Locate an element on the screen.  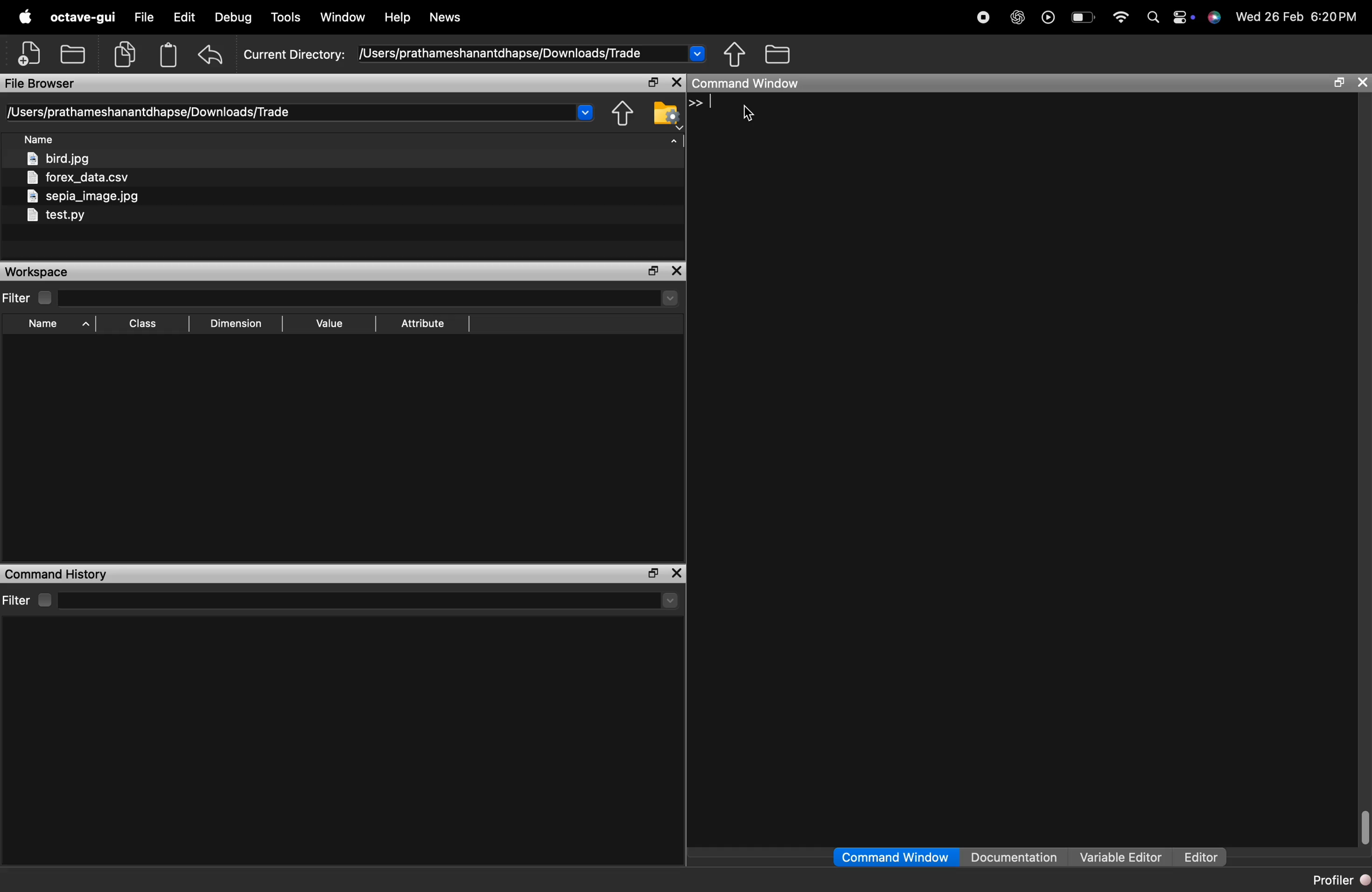
Help is located at coordinates (398, 17).